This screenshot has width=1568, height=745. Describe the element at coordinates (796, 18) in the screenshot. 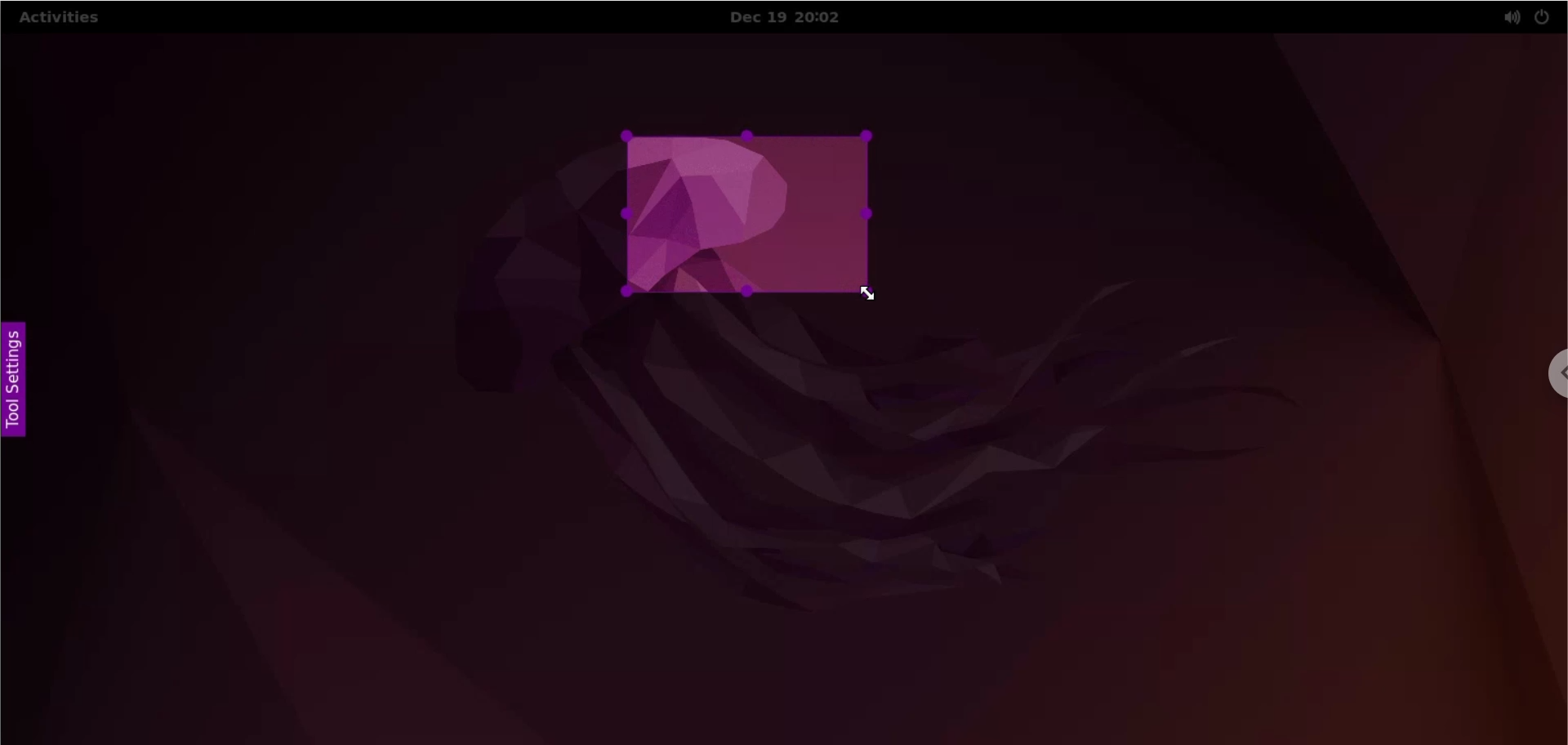

I see `Dec 19 20:02` at that location.